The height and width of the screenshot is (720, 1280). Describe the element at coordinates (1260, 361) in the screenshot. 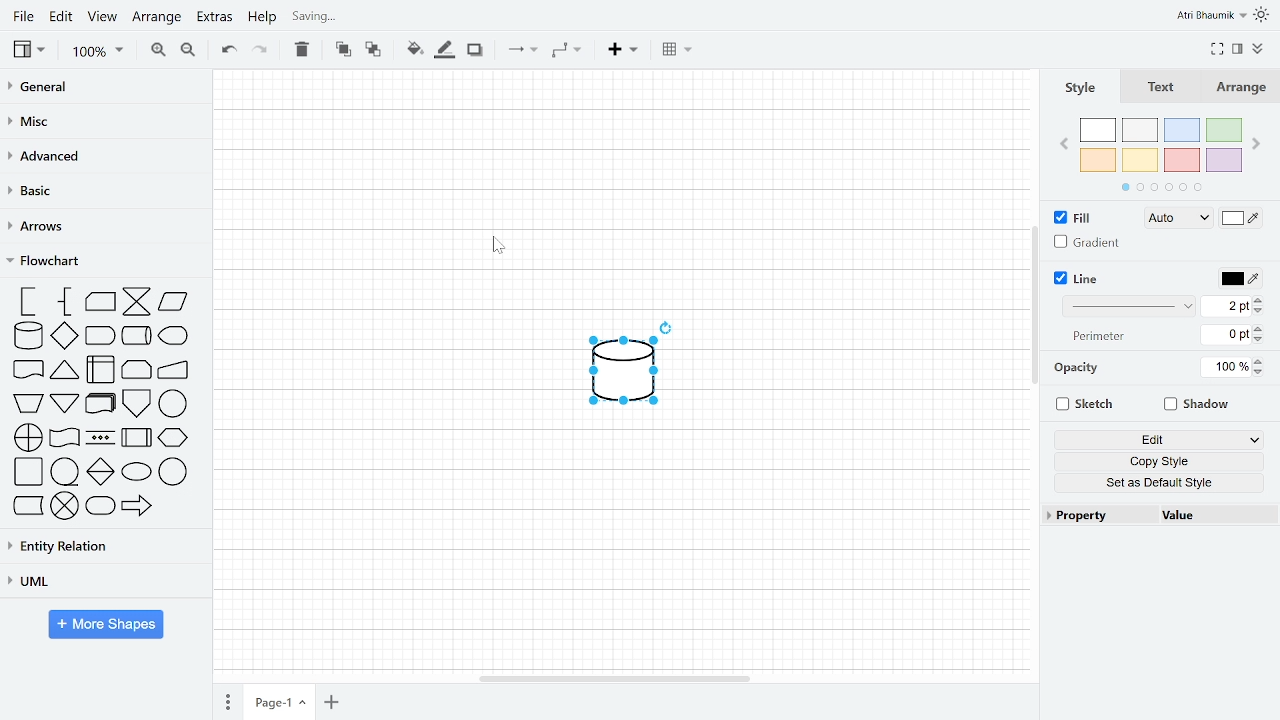

I see `Increase opacity` at that location.